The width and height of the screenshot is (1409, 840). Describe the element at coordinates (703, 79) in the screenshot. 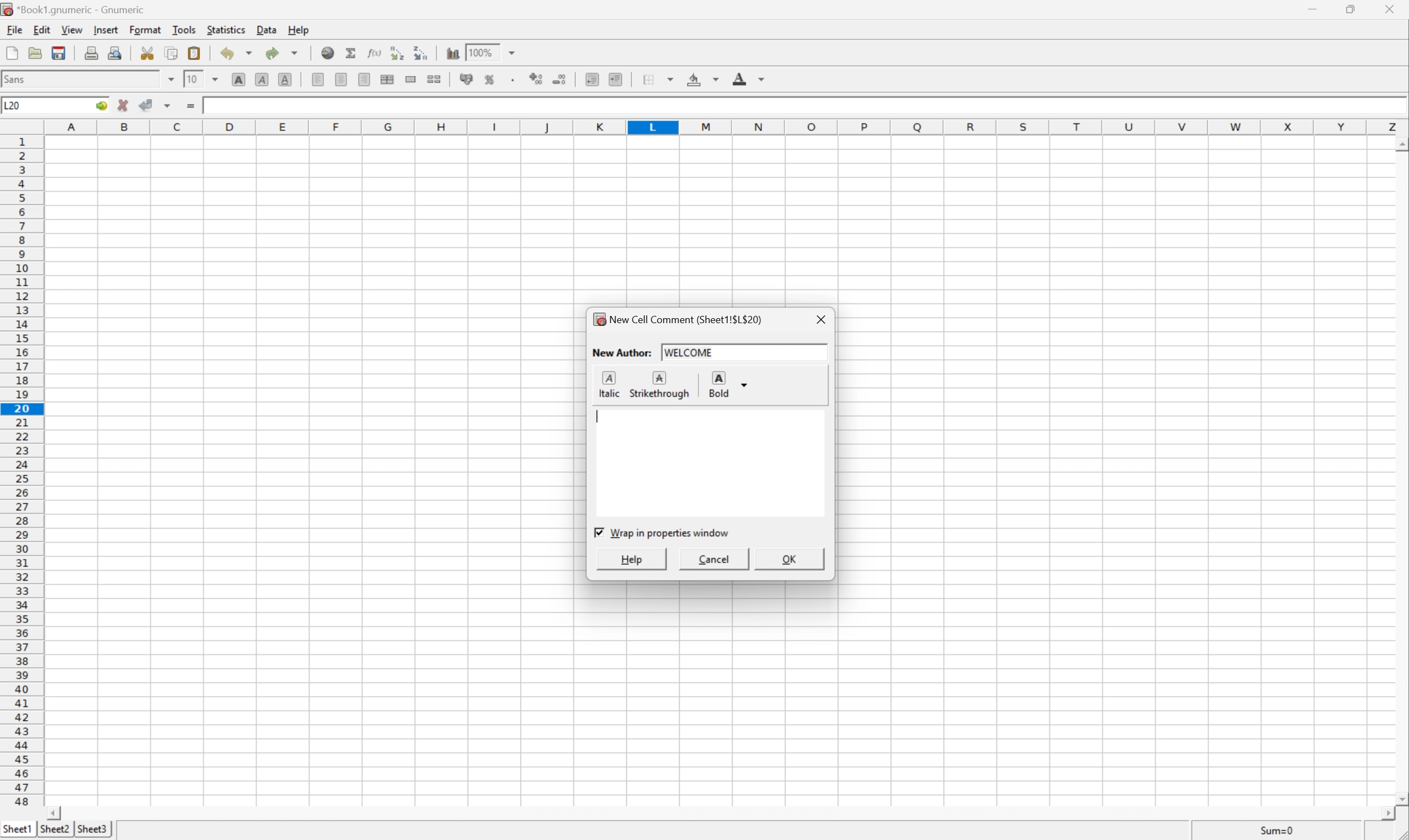

I see `Background` at that location.